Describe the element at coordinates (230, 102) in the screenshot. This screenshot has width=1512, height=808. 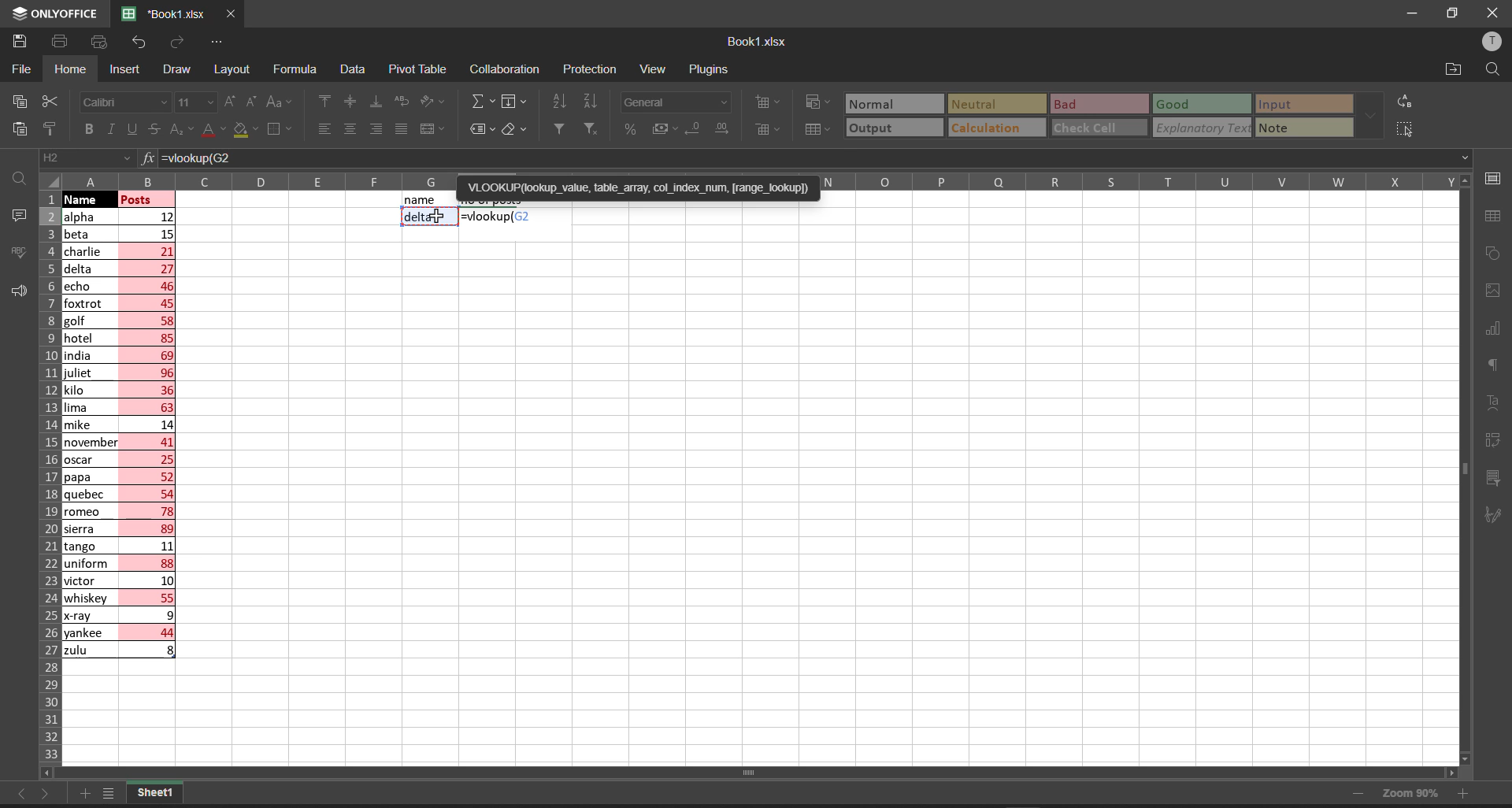
I see `increment font size` at that location.